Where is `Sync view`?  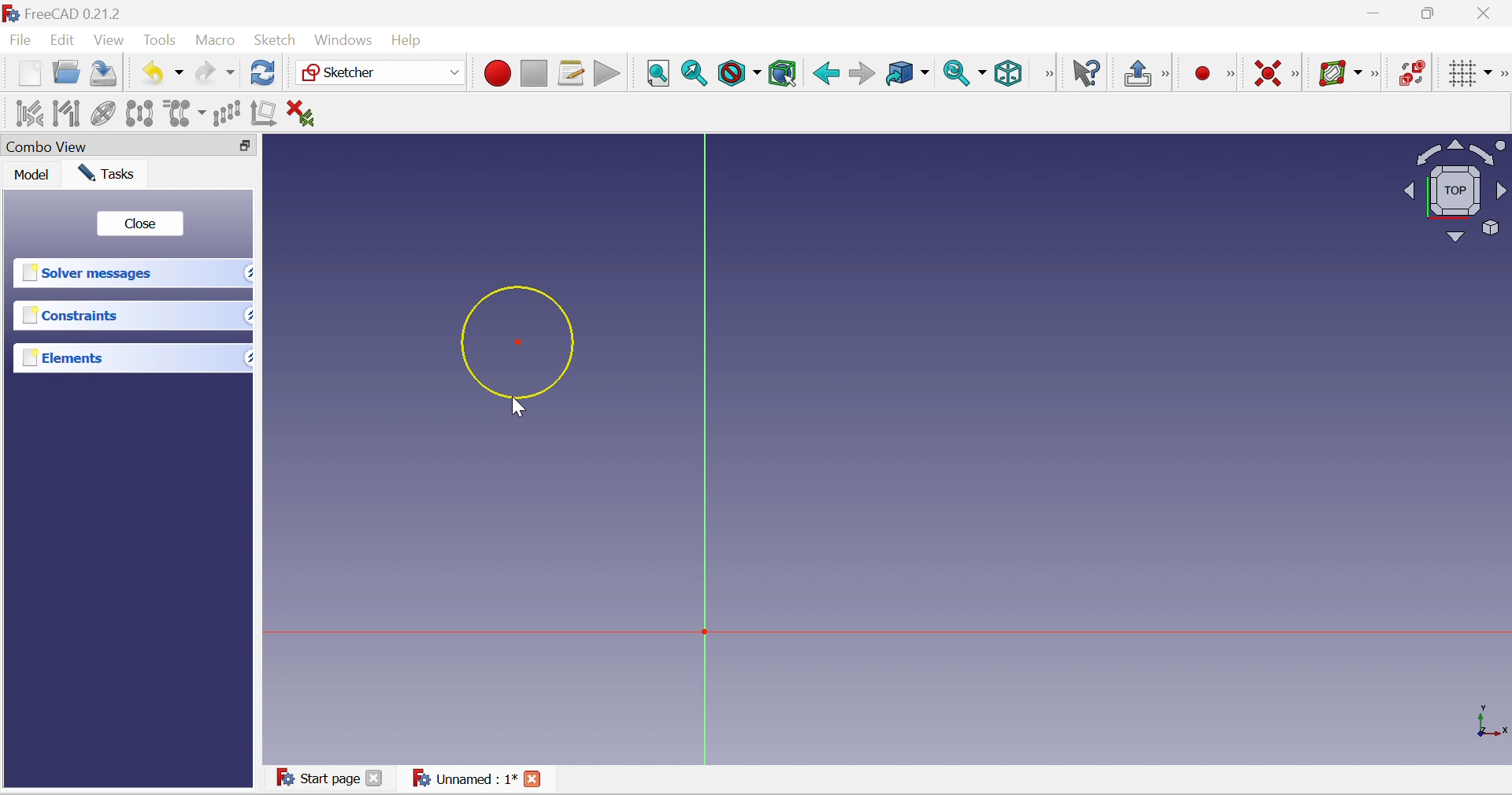 Sync view is located at coordinates (962, 74).